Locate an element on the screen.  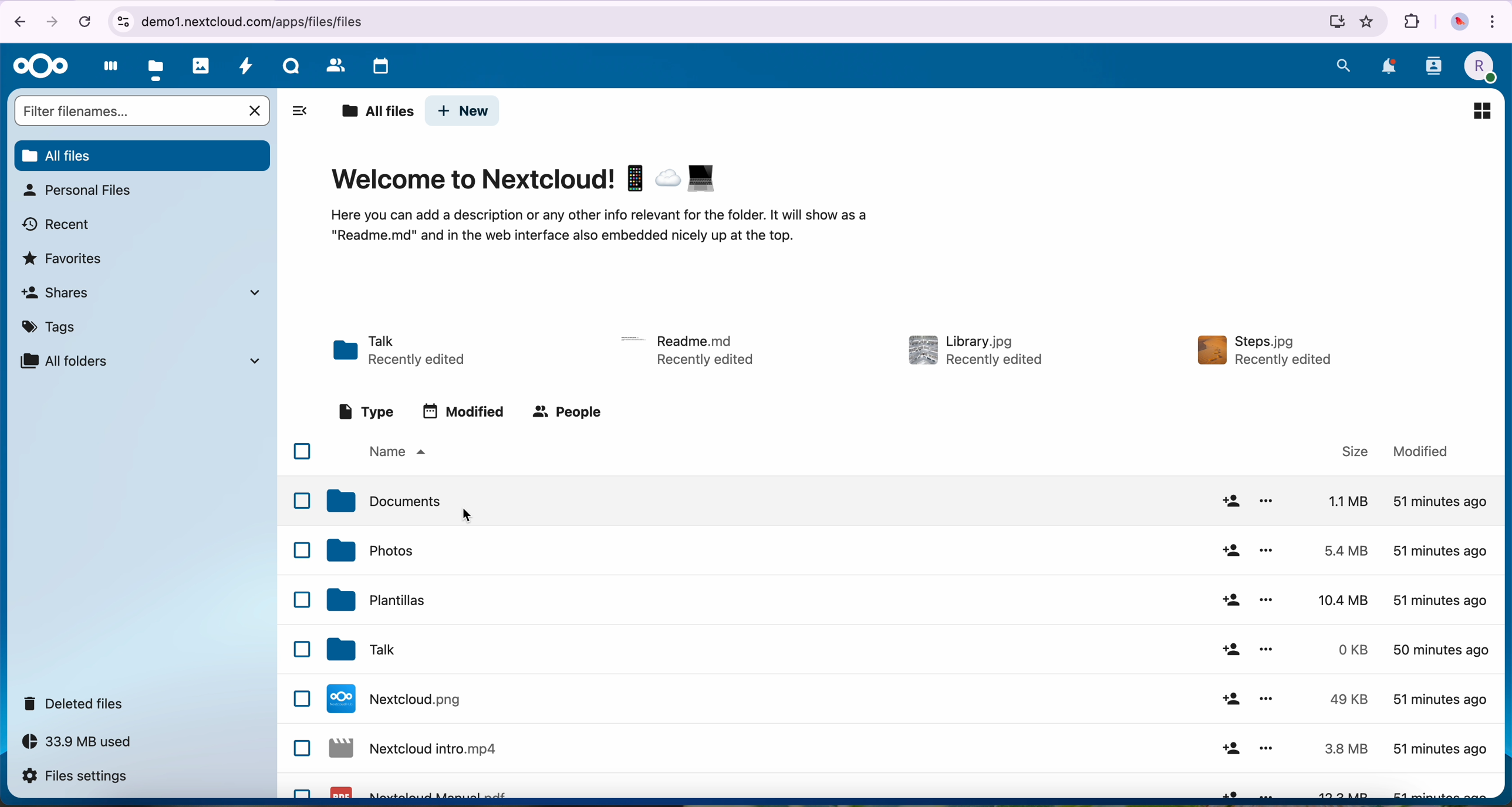
modified is located at coordinates (1440, 551).